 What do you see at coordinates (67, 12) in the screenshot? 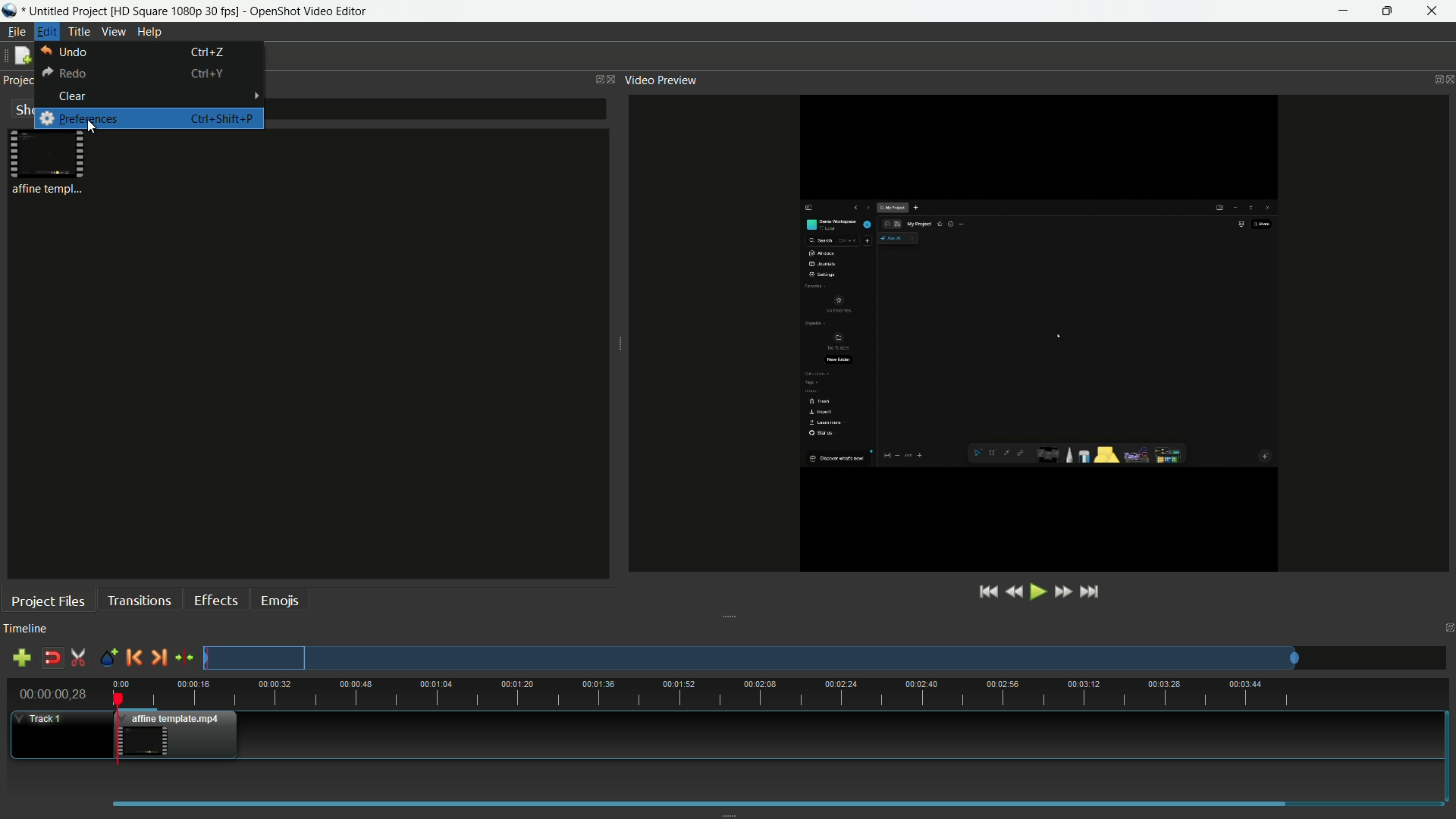
I see `project name` at bounding box center [67, 12].